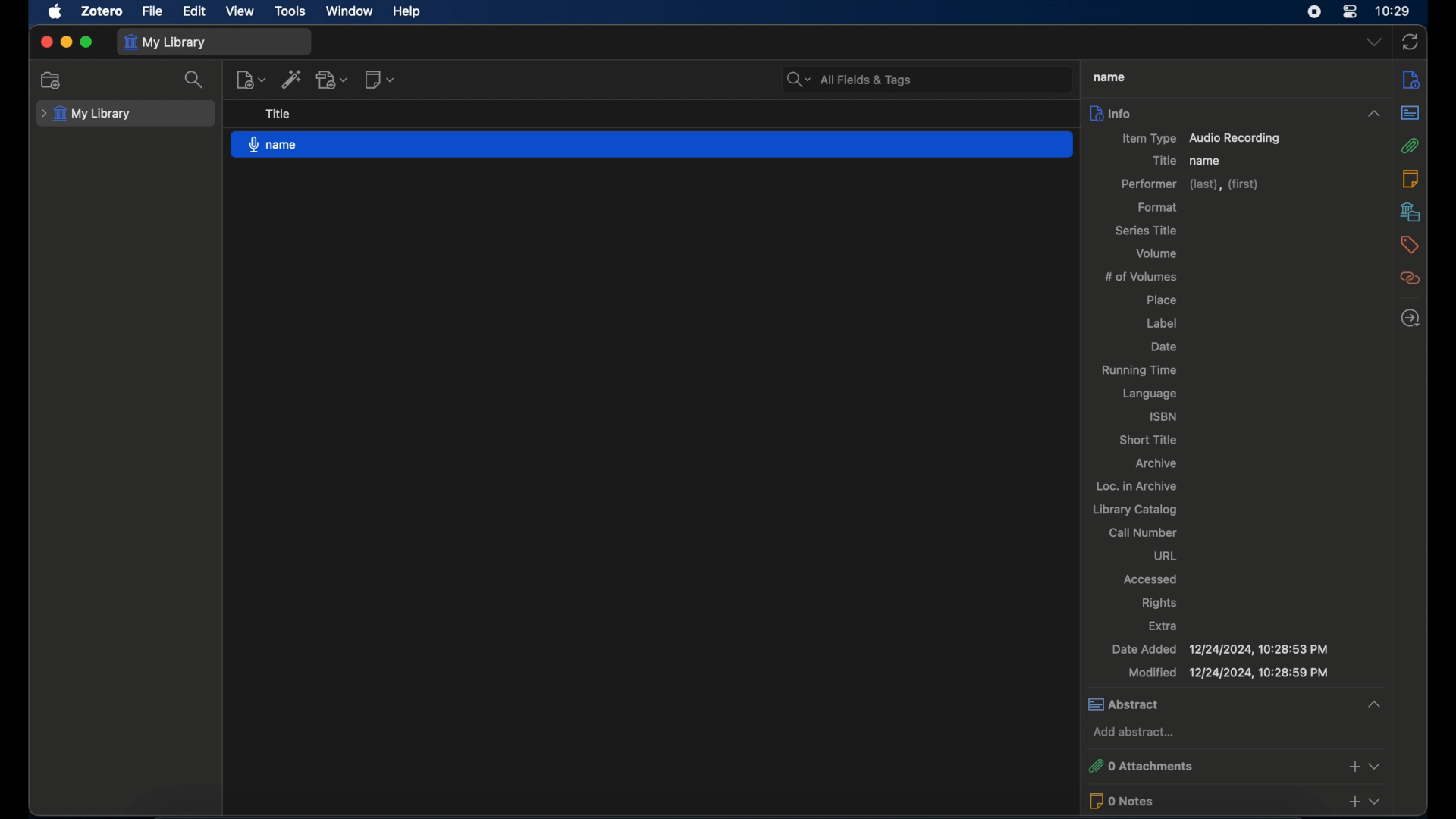  Describe the element at coordinates (65, 42) in the screenshot. I see `minimize` at that location.